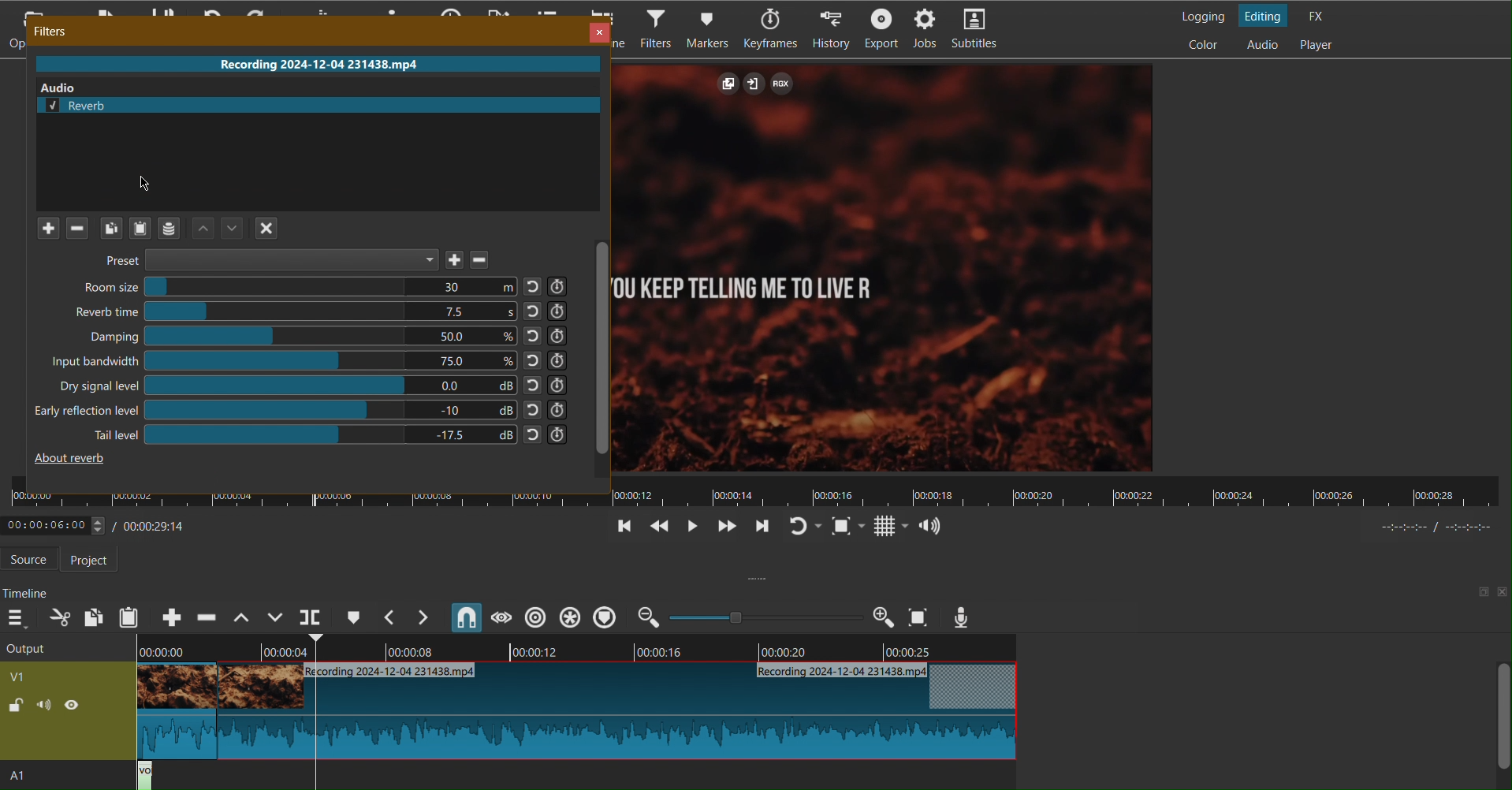  Describe the element at coordinates (58, 617) in the screenshot. I see `Cut` at that location.